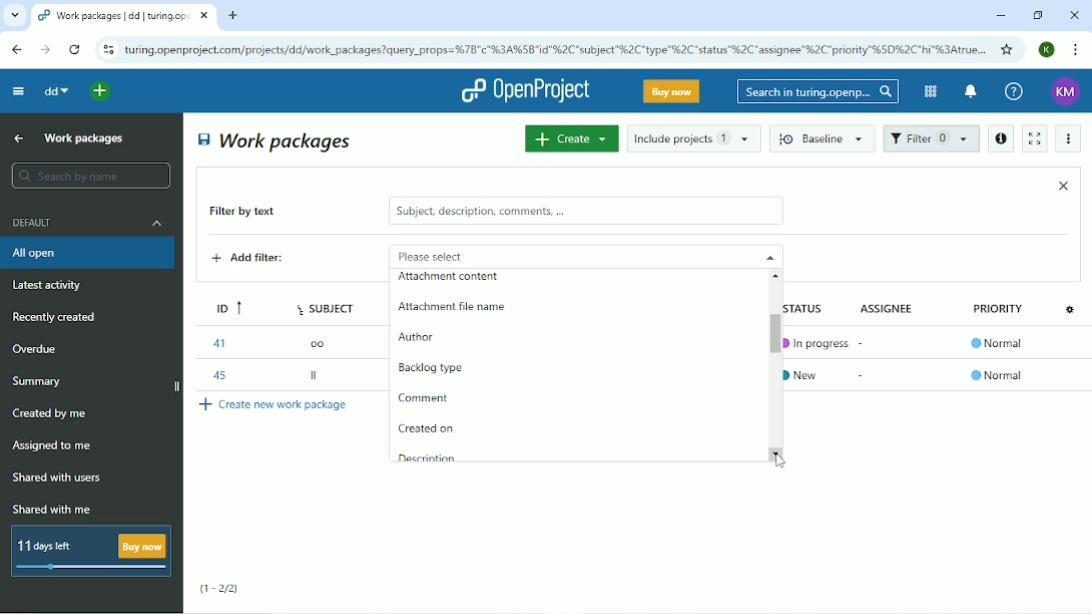 The height and width of the screenshot is (614, 1092). I want to click on Status, so click(814, 307).